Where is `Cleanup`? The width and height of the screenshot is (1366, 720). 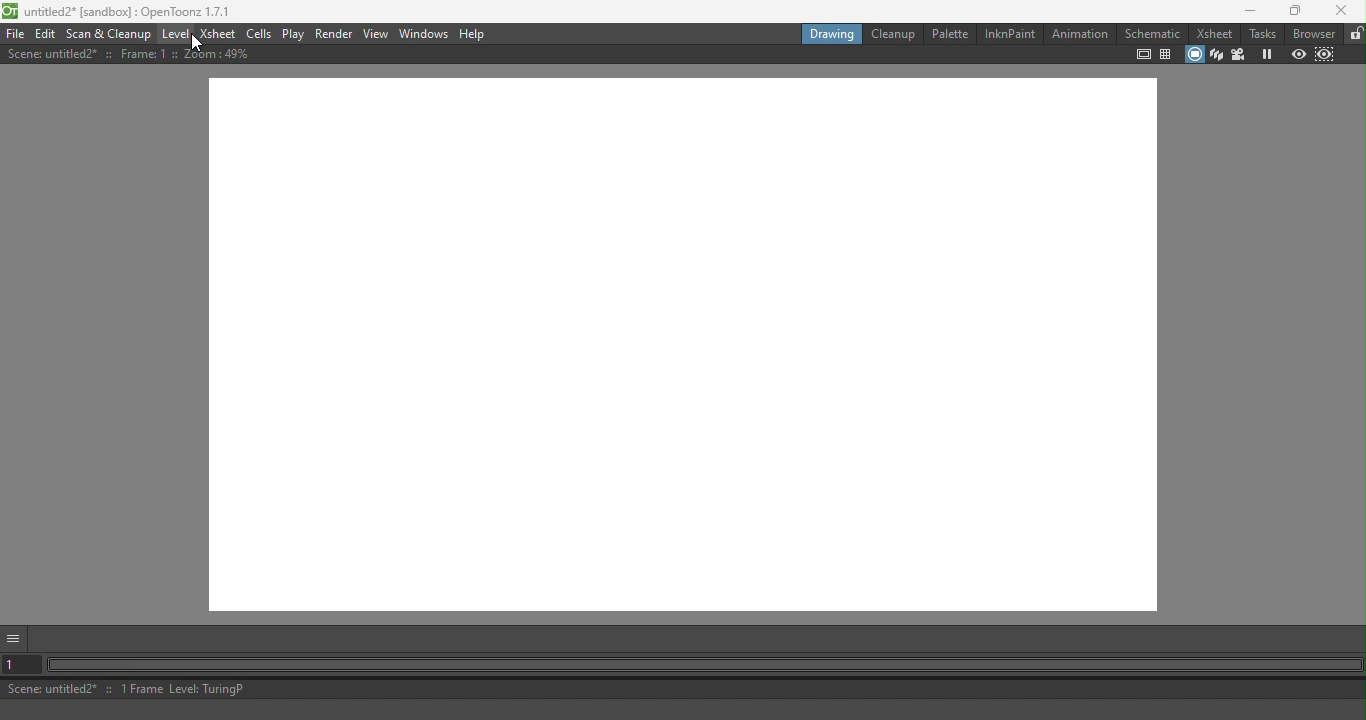 Cleanup is located at coordinates (893, 33).